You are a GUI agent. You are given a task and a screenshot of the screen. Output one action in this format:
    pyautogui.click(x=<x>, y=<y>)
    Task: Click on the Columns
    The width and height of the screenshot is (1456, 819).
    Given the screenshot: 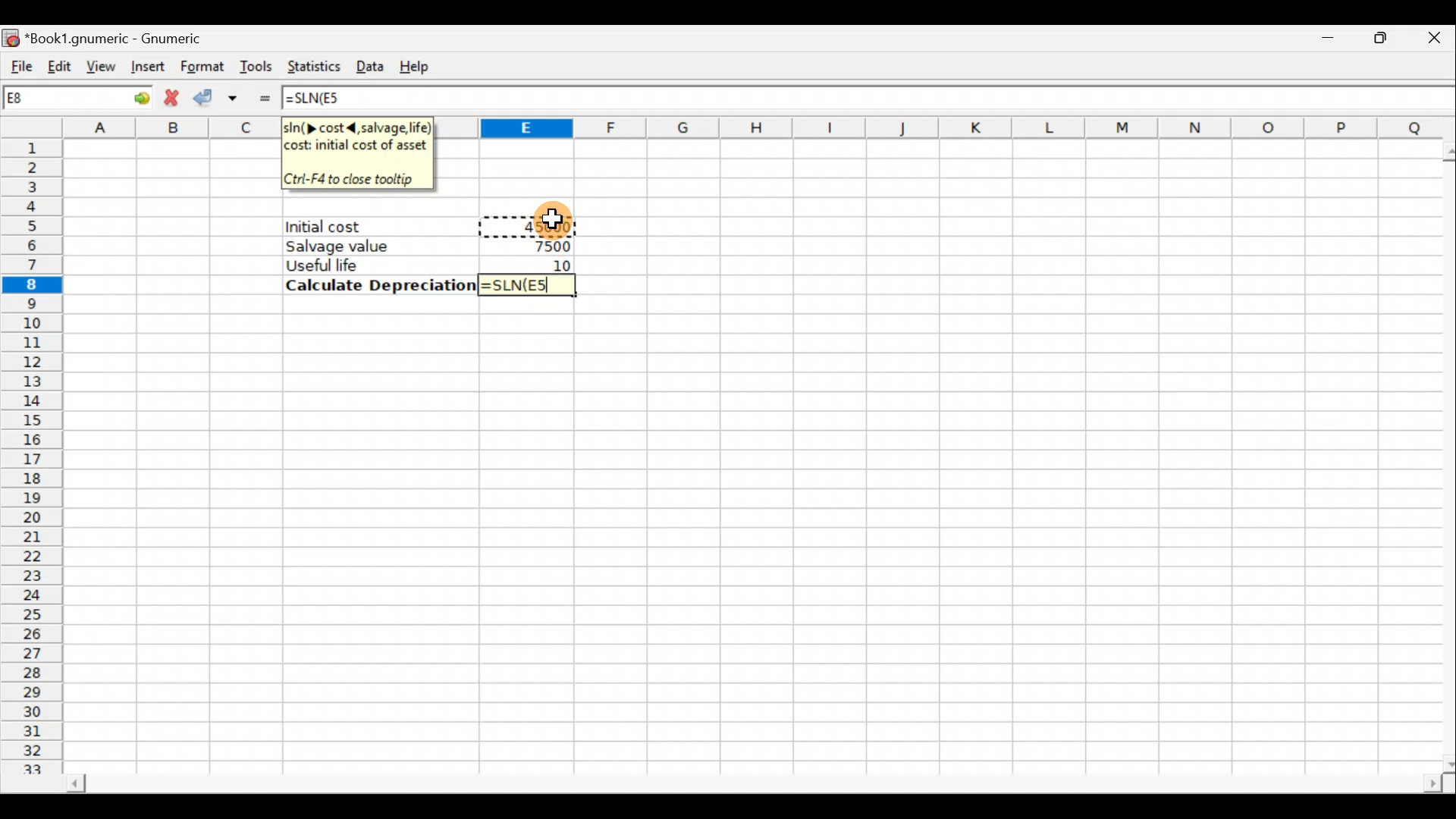 What is the action you would take?
    pyautogui.click(x=949, y=127)
    